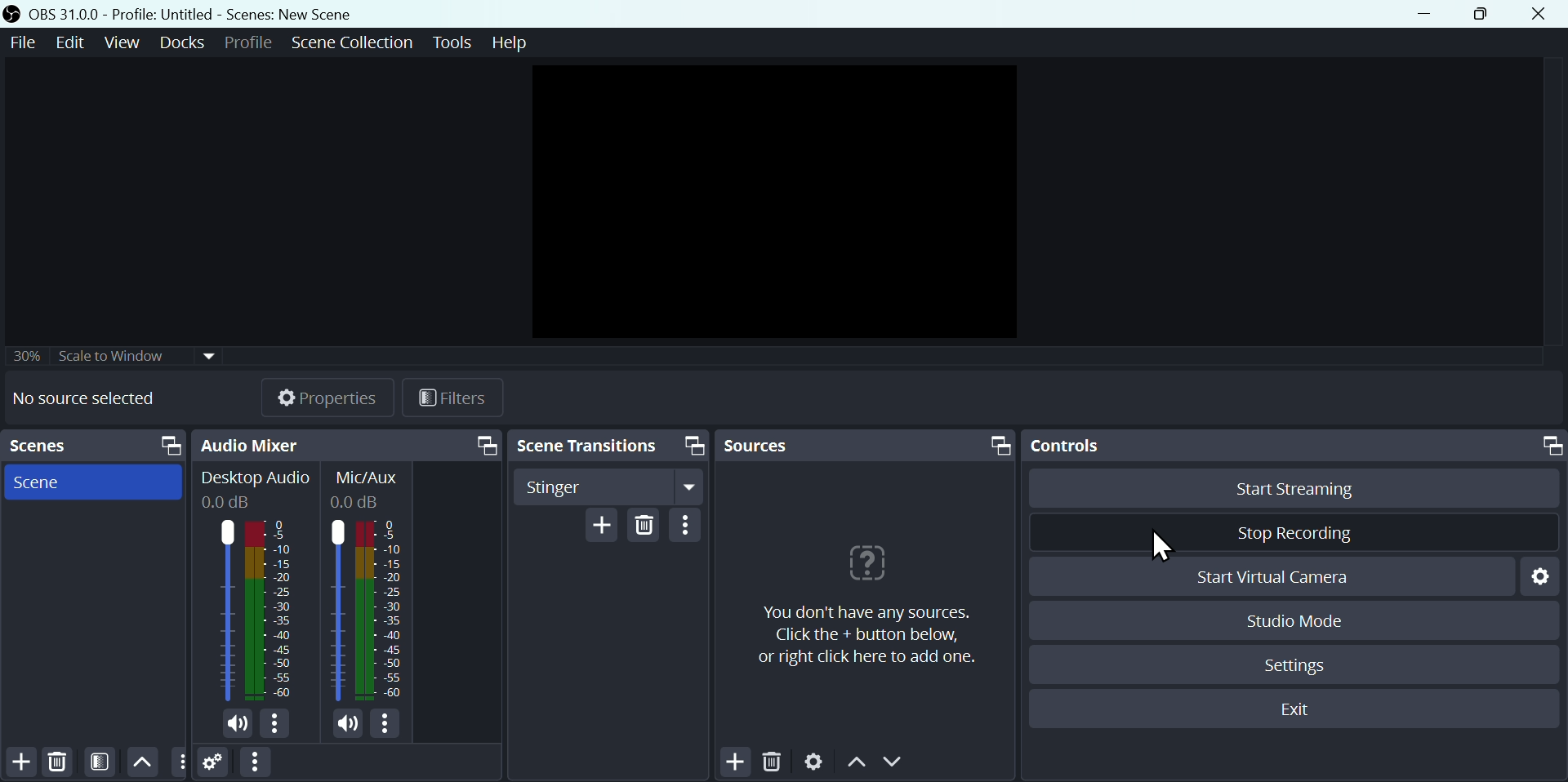 The height and width of the screenshot is (782, 1568). I want to click on add, so click(20, 762).